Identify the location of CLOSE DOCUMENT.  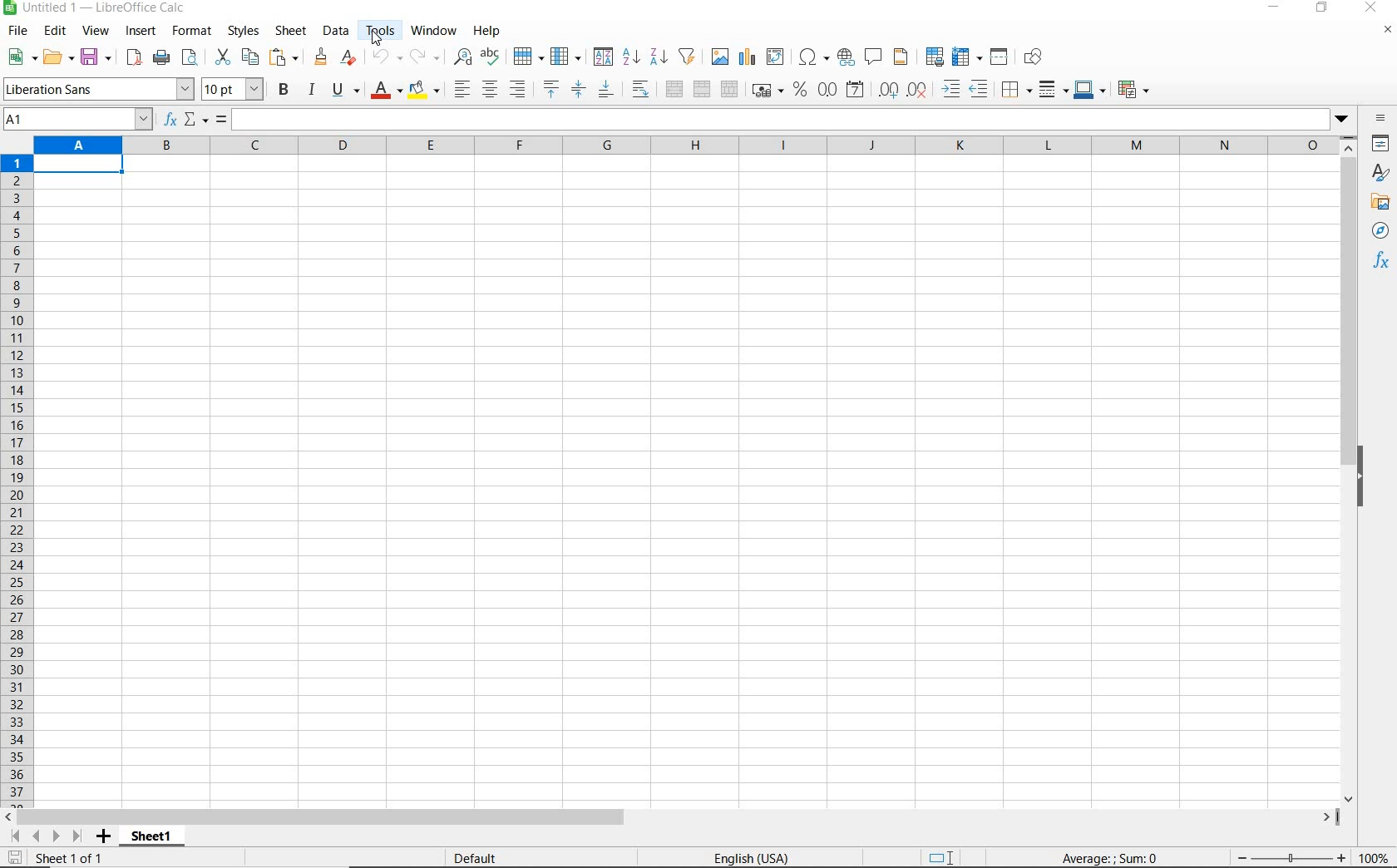
(1387, 31).